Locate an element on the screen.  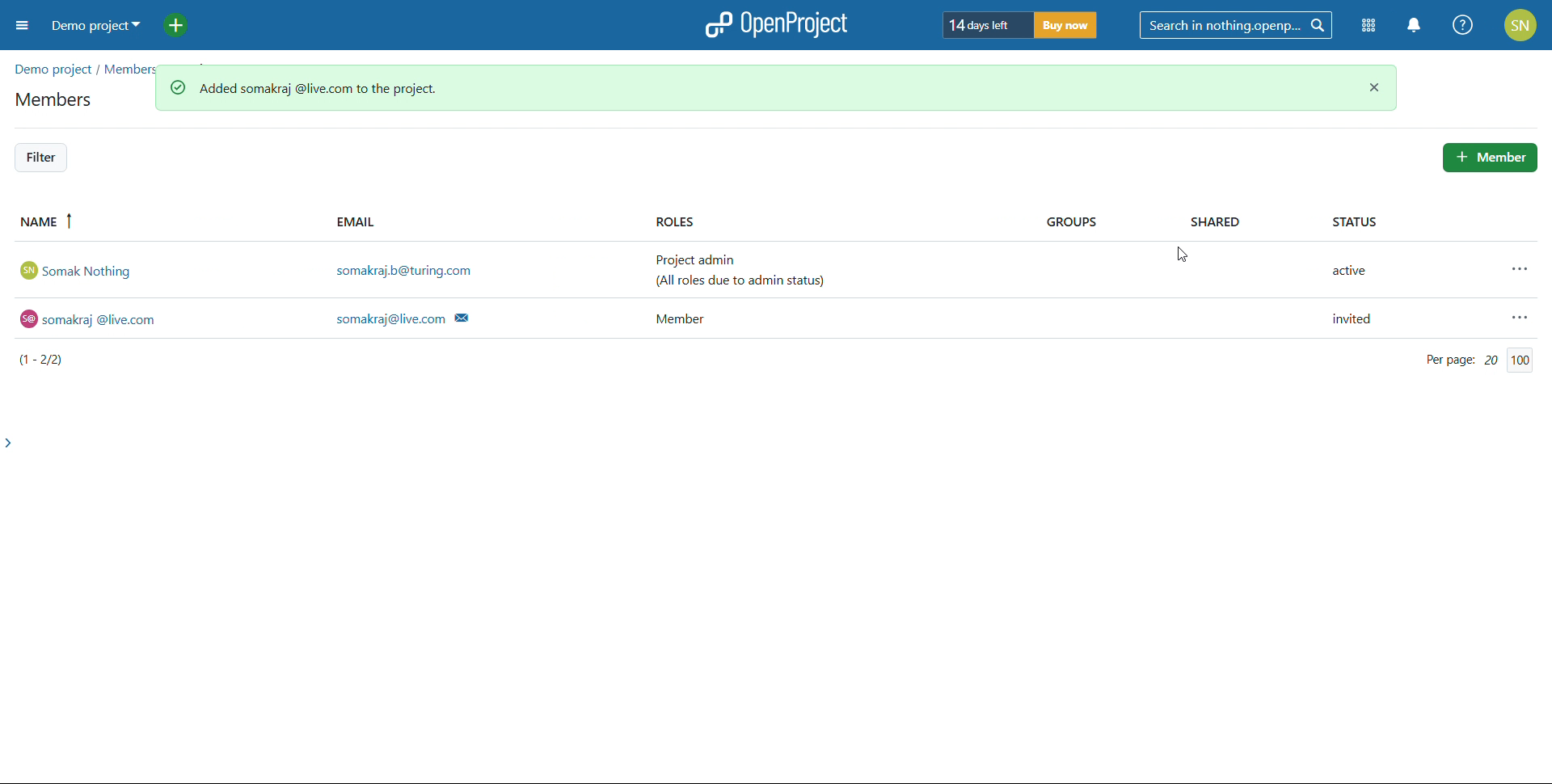
notification is located at coordinates (1416, 25).